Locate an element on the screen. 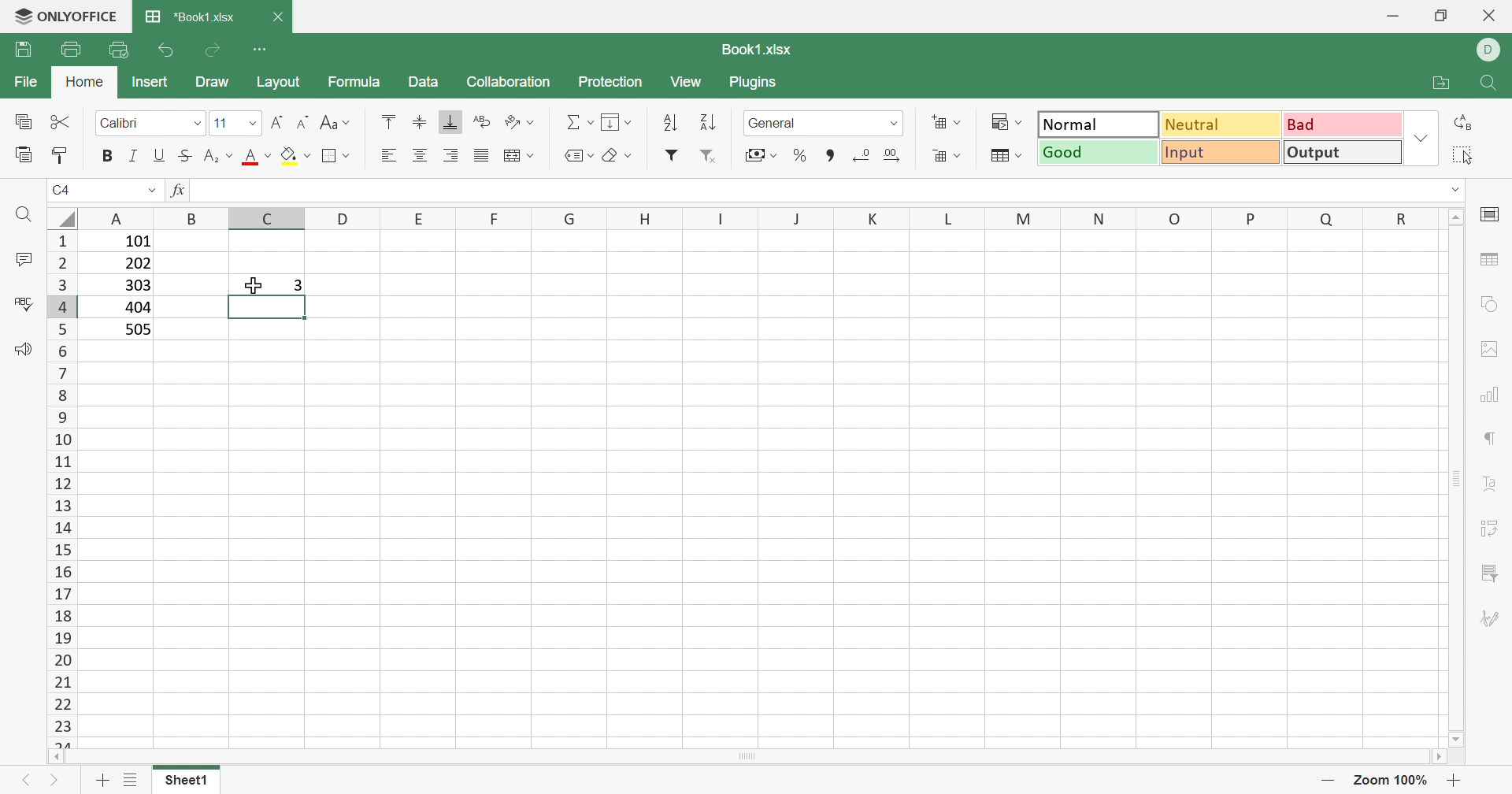  Superscript / Subscript is located at coordinates (219, 158).